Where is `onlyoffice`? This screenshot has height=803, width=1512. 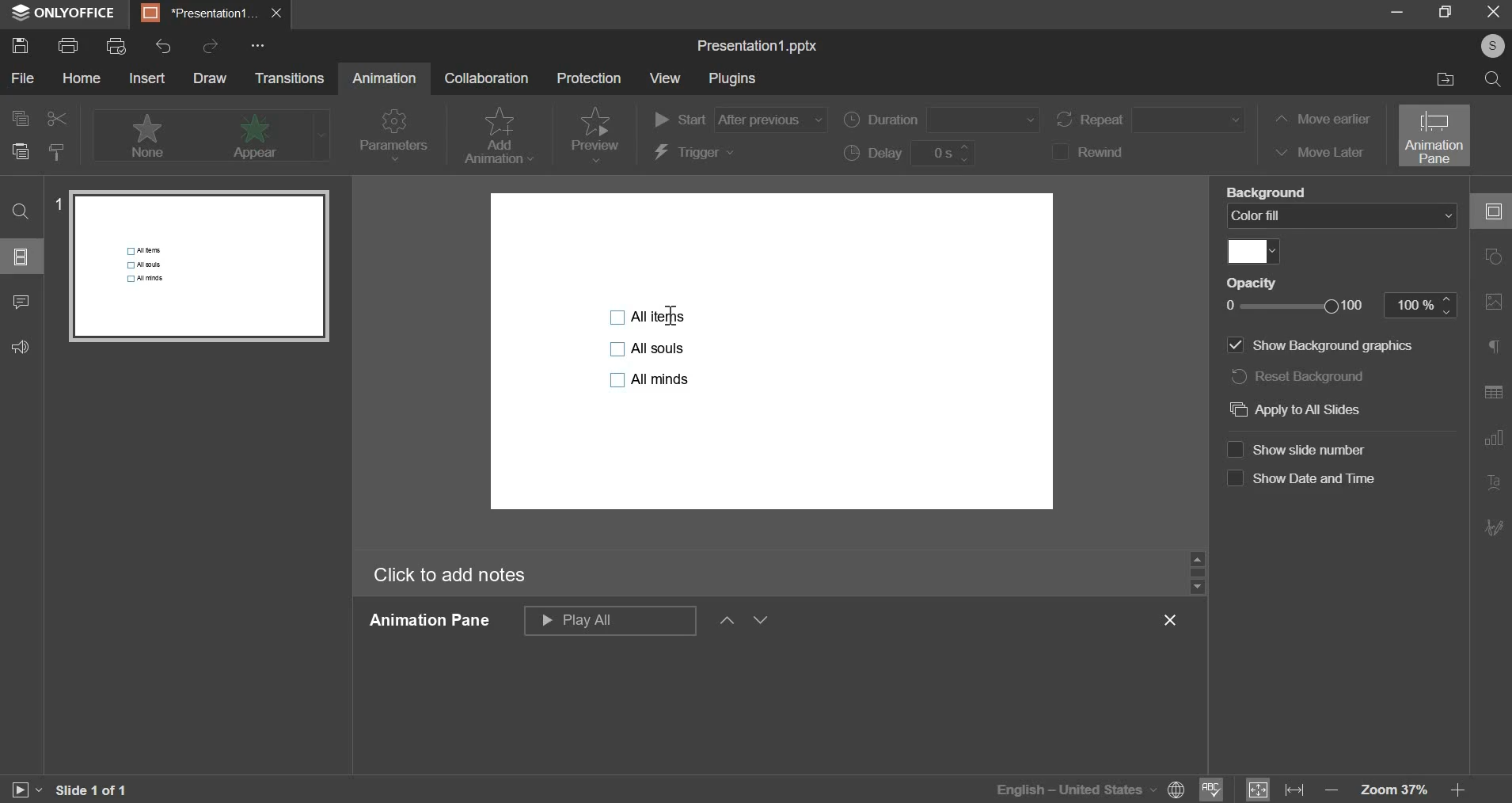
onlyoffice is located at coordinates (63, 12).